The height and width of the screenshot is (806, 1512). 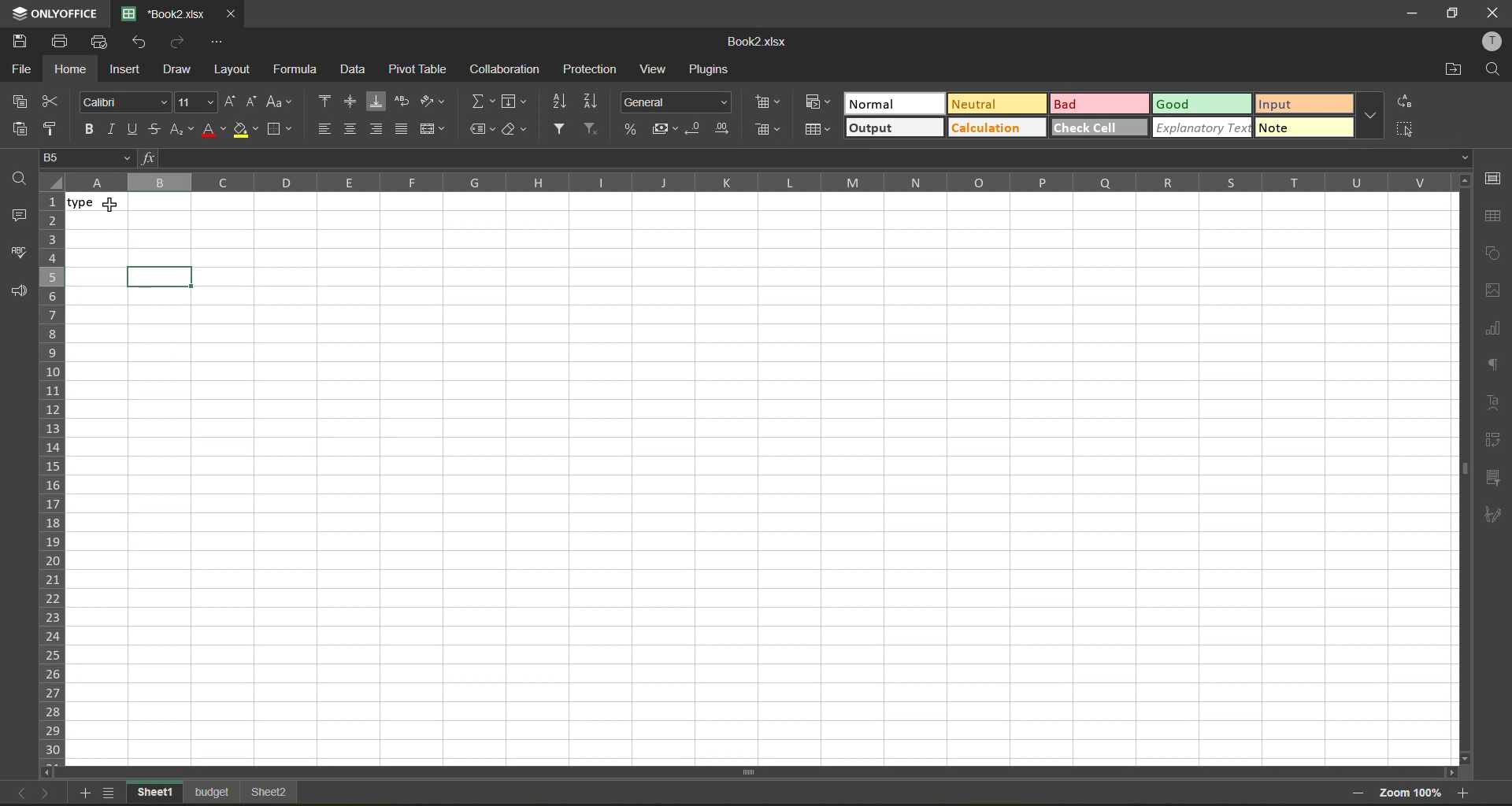 What do you see at coordinates (595, 102) in the screenshot?
I see `sort descending` at bounding box center [595, 102].